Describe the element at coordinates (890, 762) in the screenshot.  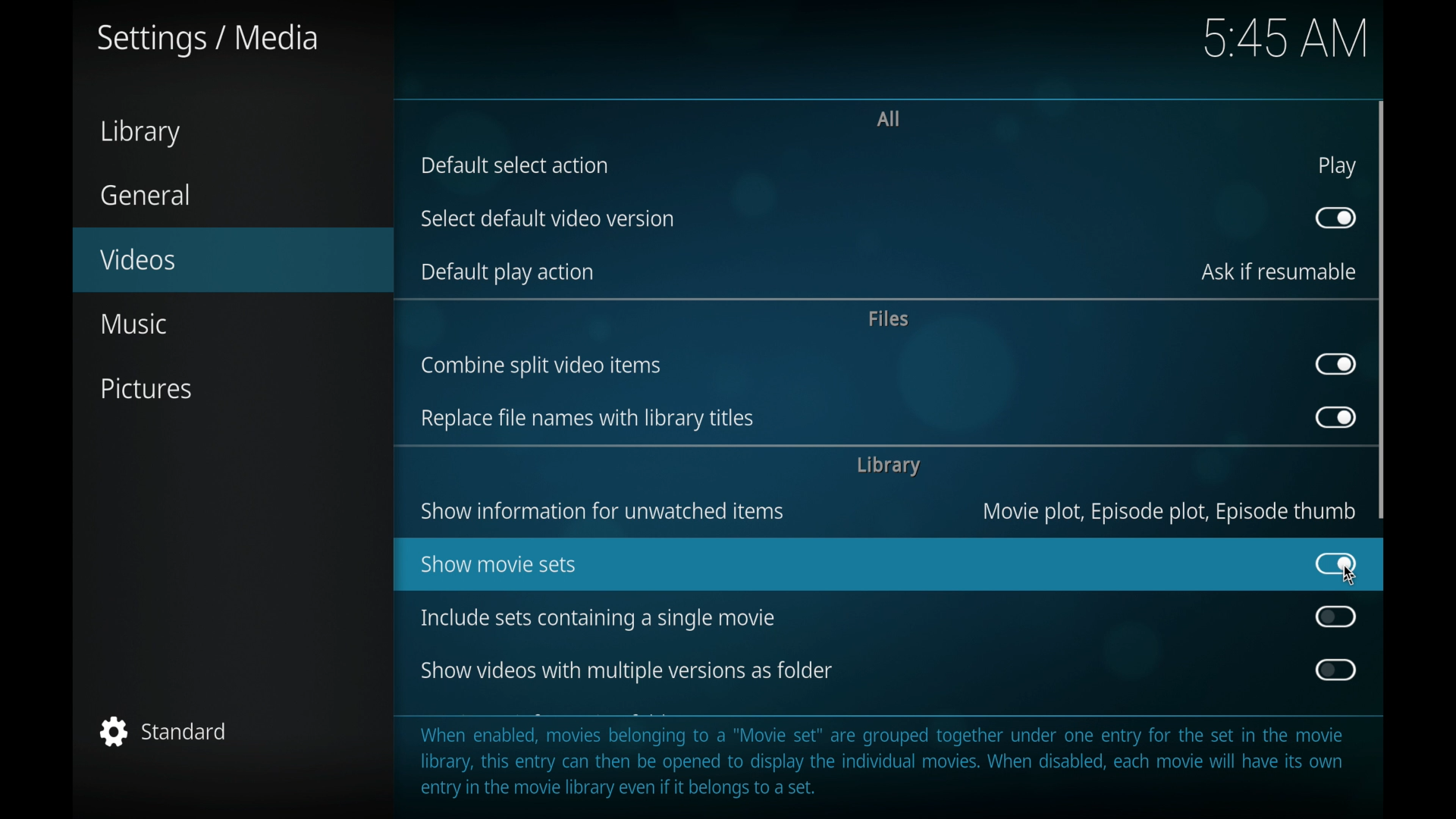
I see `When enabled, movies belonging to a "Movie set" are grouped together under one entry for the set in the movie
library, this entry can then be opened to display the individual movies. When disabled, each movie will have its own
entry in the movie library even if it belongs to a set.` at that location.